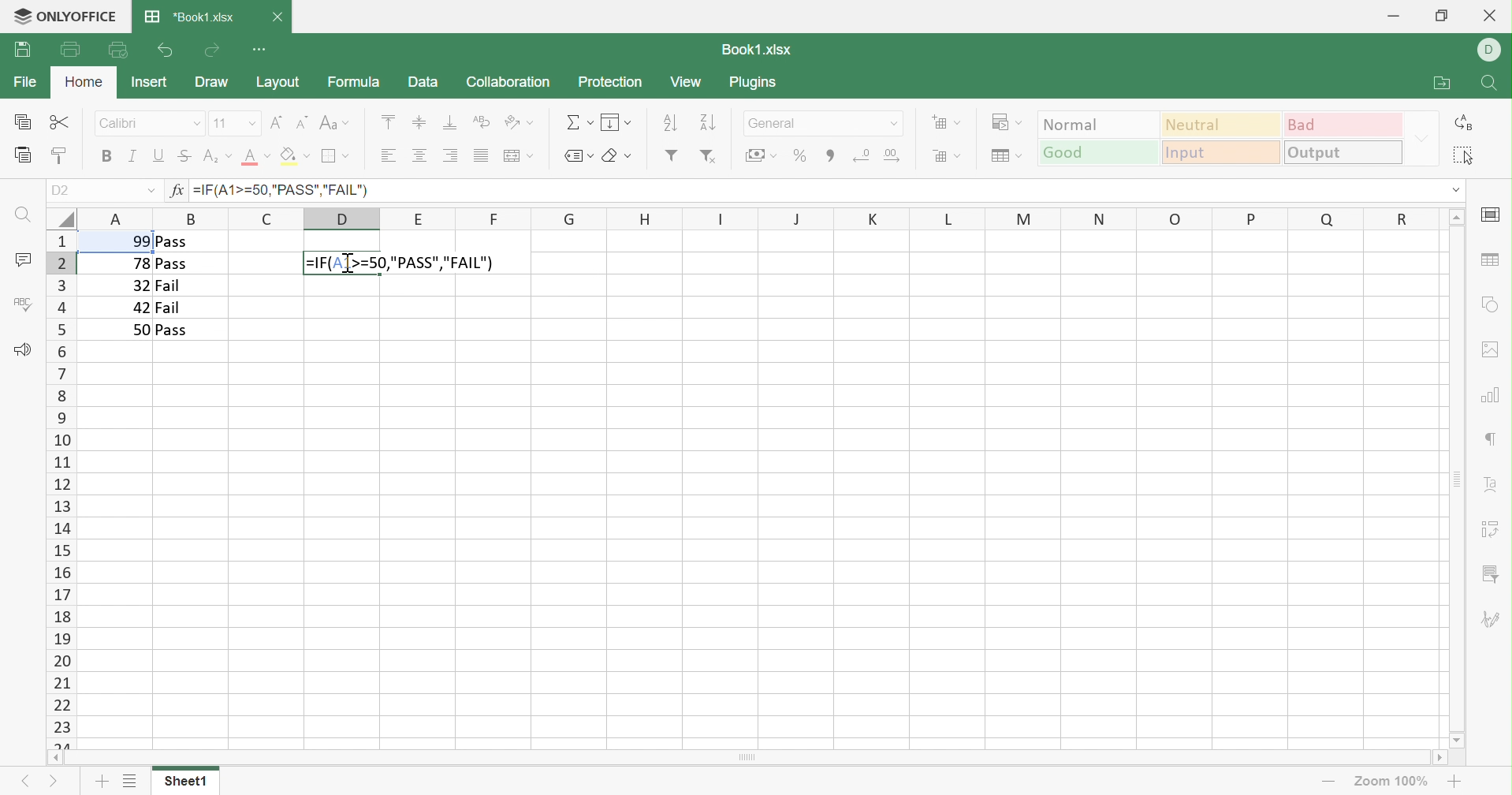 This screenshot has width=1512, height=795. What do you see at coordinates (160, 155) in the screenshot?
I see `Underline` at bounding box center [160, 155].